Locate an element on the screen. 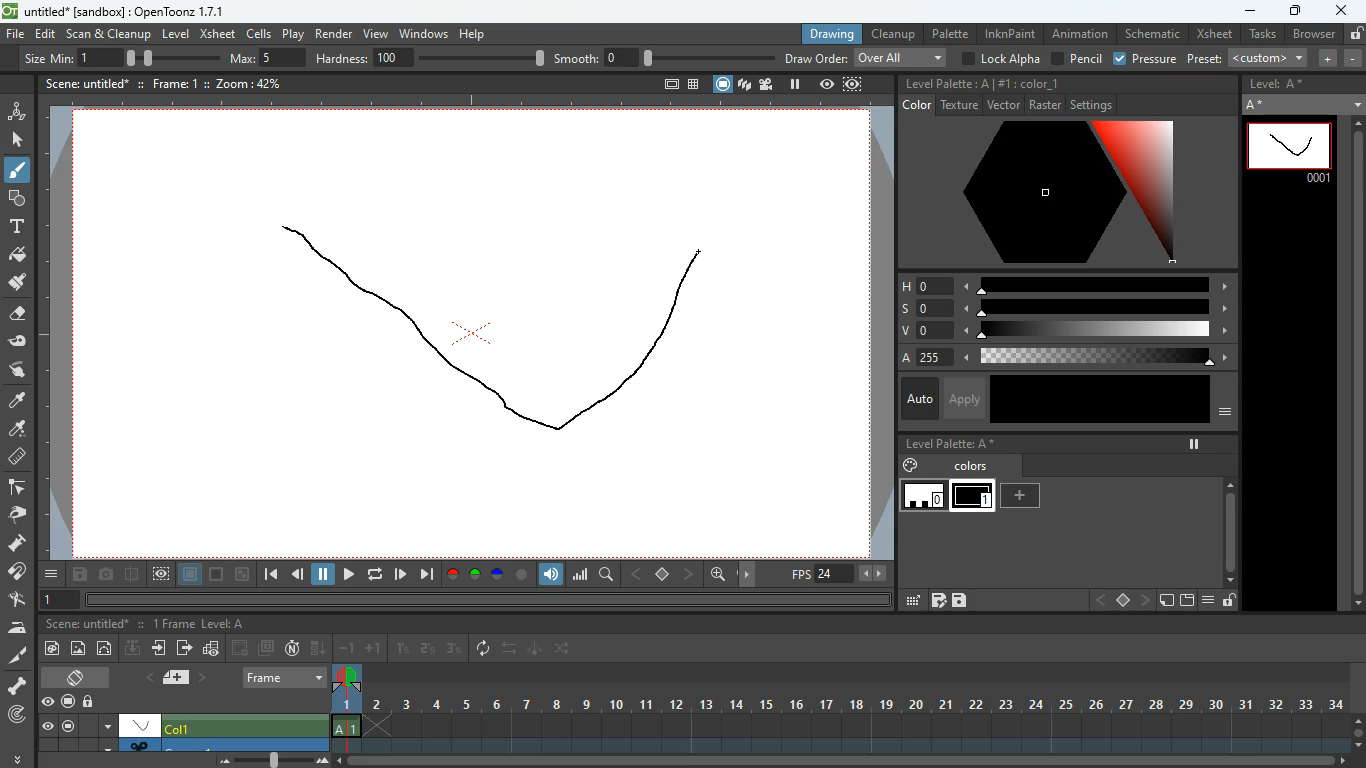 This screenshot has width=1366, height=768. frame is located at coordinates (286, 677).